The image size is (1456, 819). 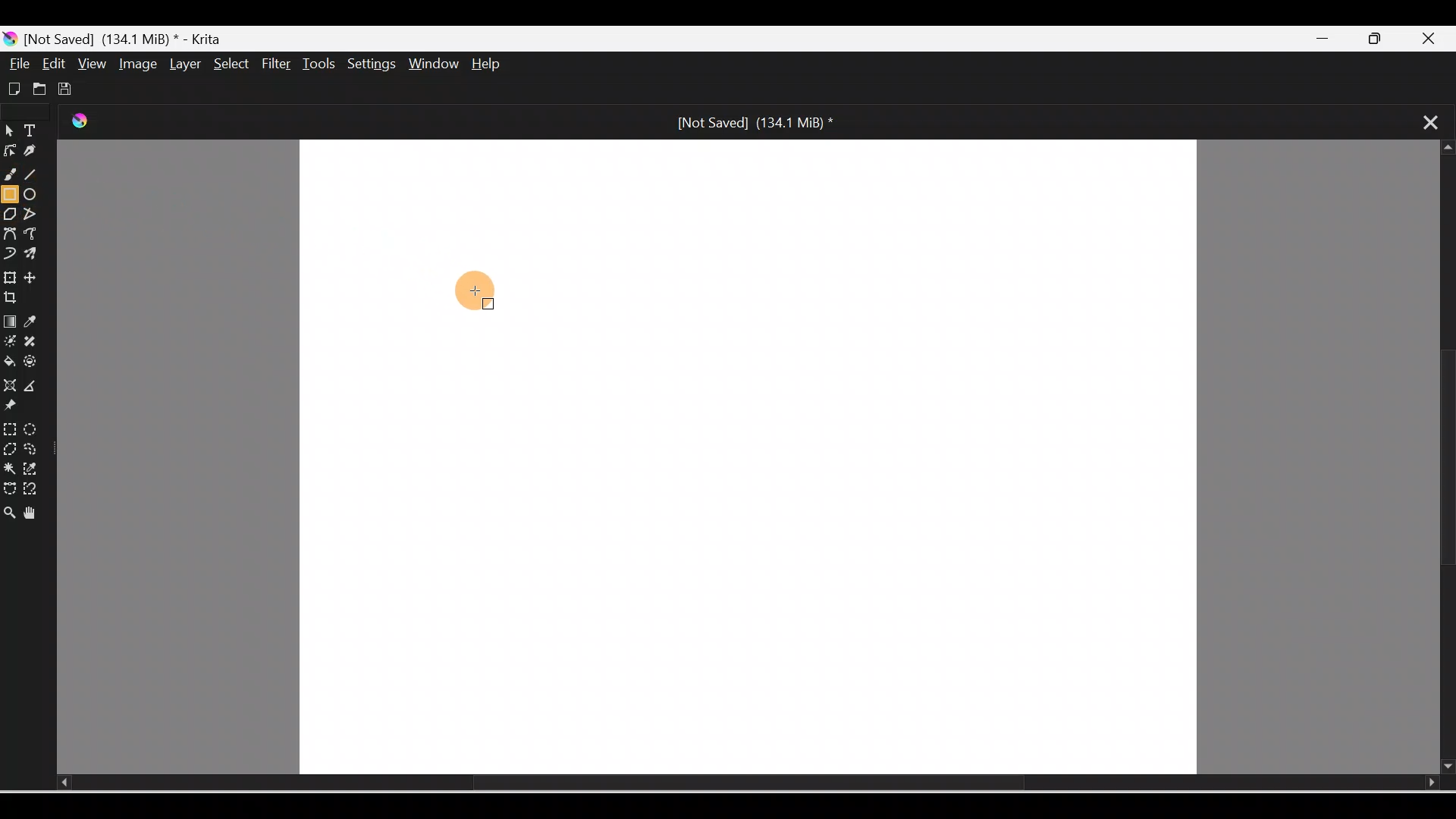 What do you see at coordinates (1384, 39) in the screenshot?
I see `Maximize` at bounding box center [1384, 39].